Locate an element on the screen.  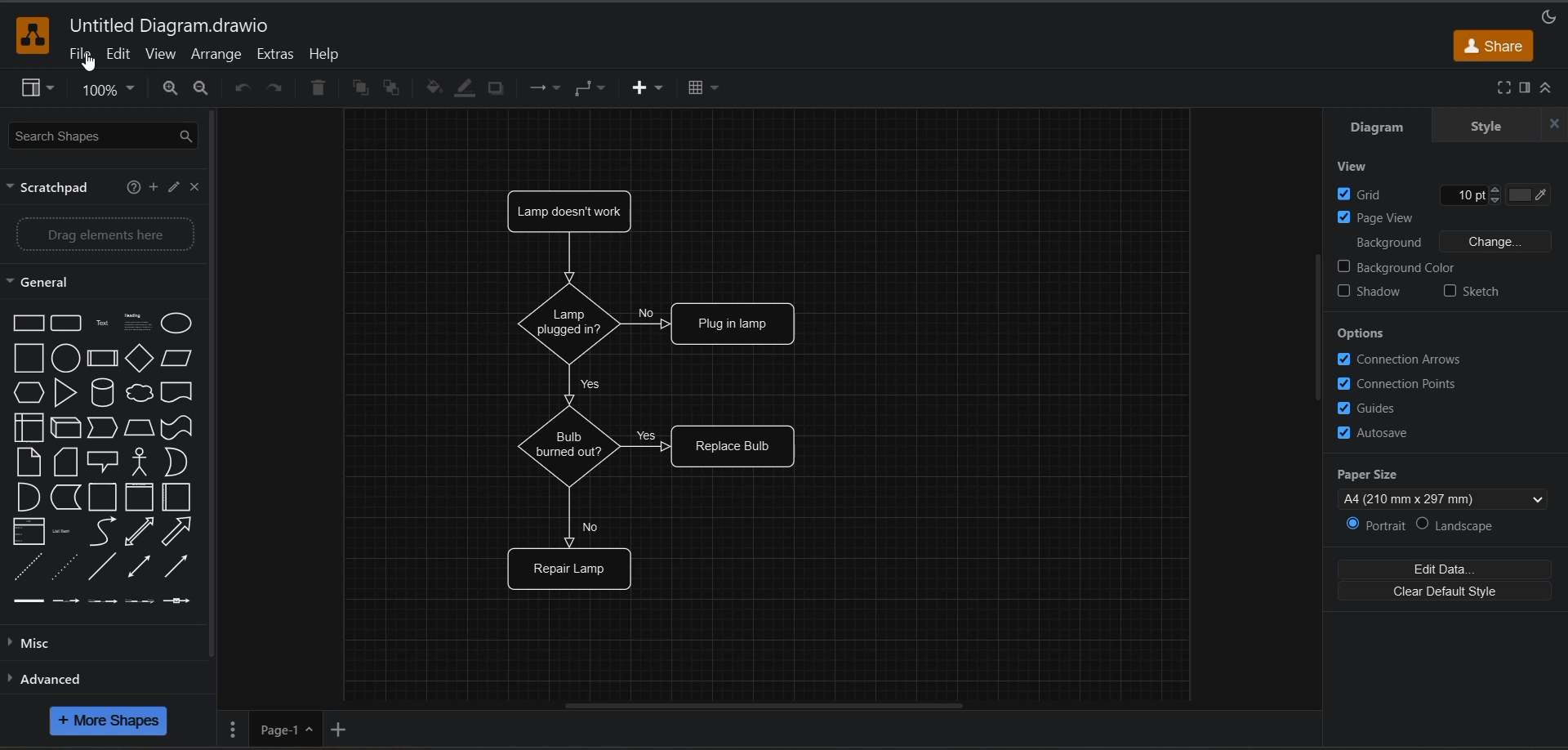
landscape is located at coordinates (1460, 527).